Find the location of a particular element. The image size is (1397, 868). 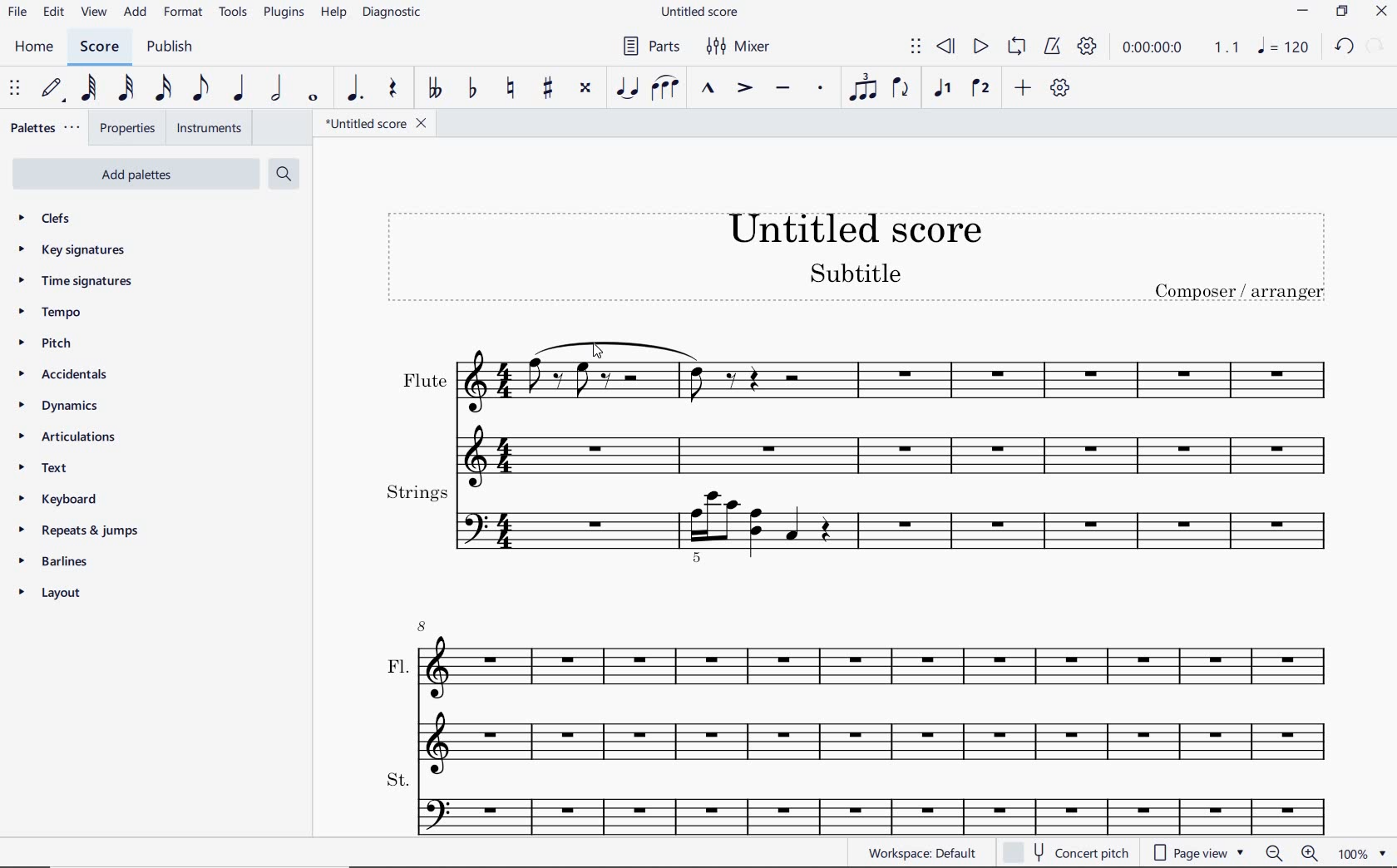

TENUTO is located at coordinates (782, 89).